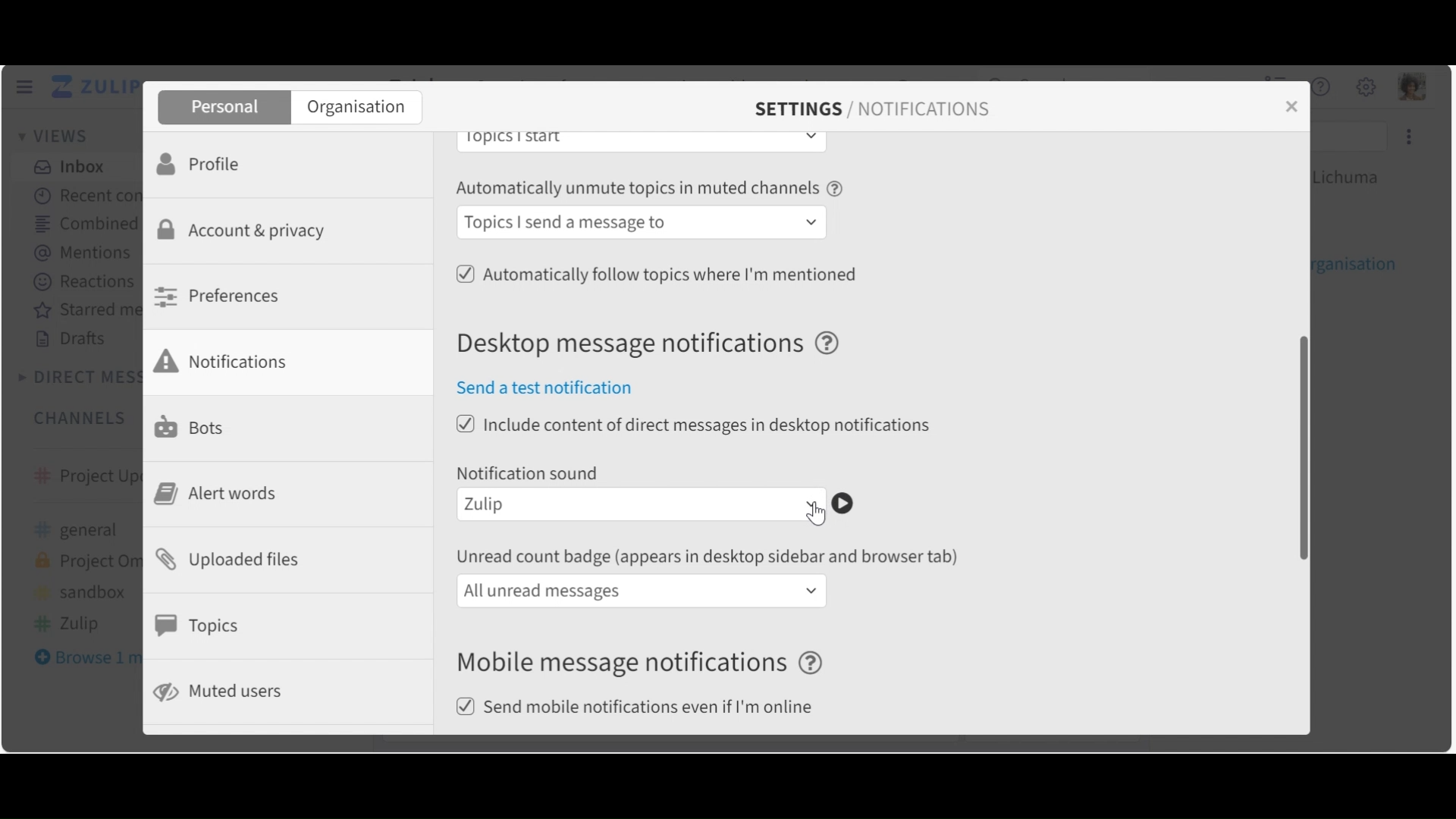 Image resolution: width=1456 pixels, height=819 pixels. I want to click on Notification sound, so click(530, 472).